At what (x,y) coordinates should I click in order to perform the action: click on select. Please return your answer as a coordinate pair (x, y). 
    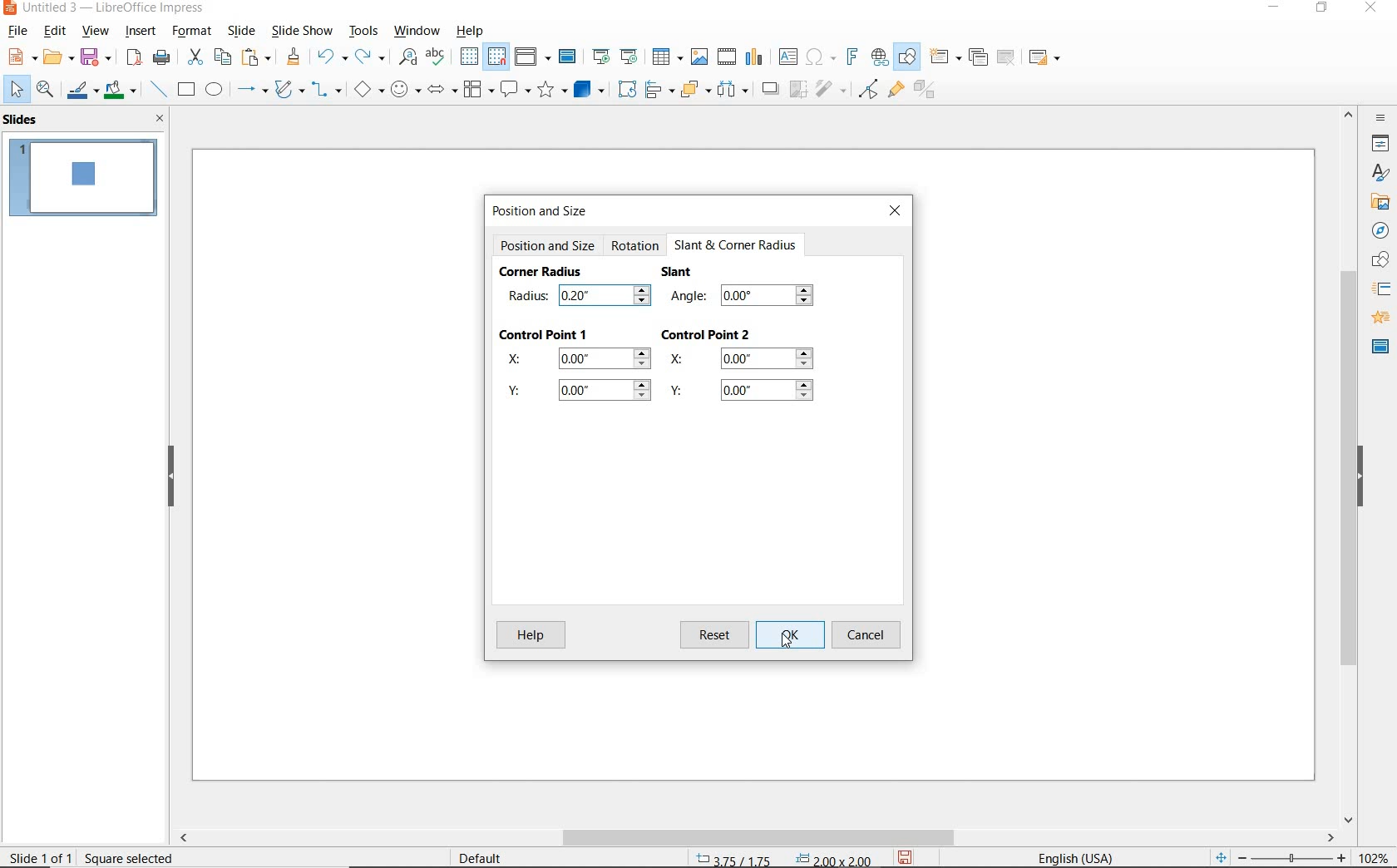
    Looking at the image, I should click on (13, 91).